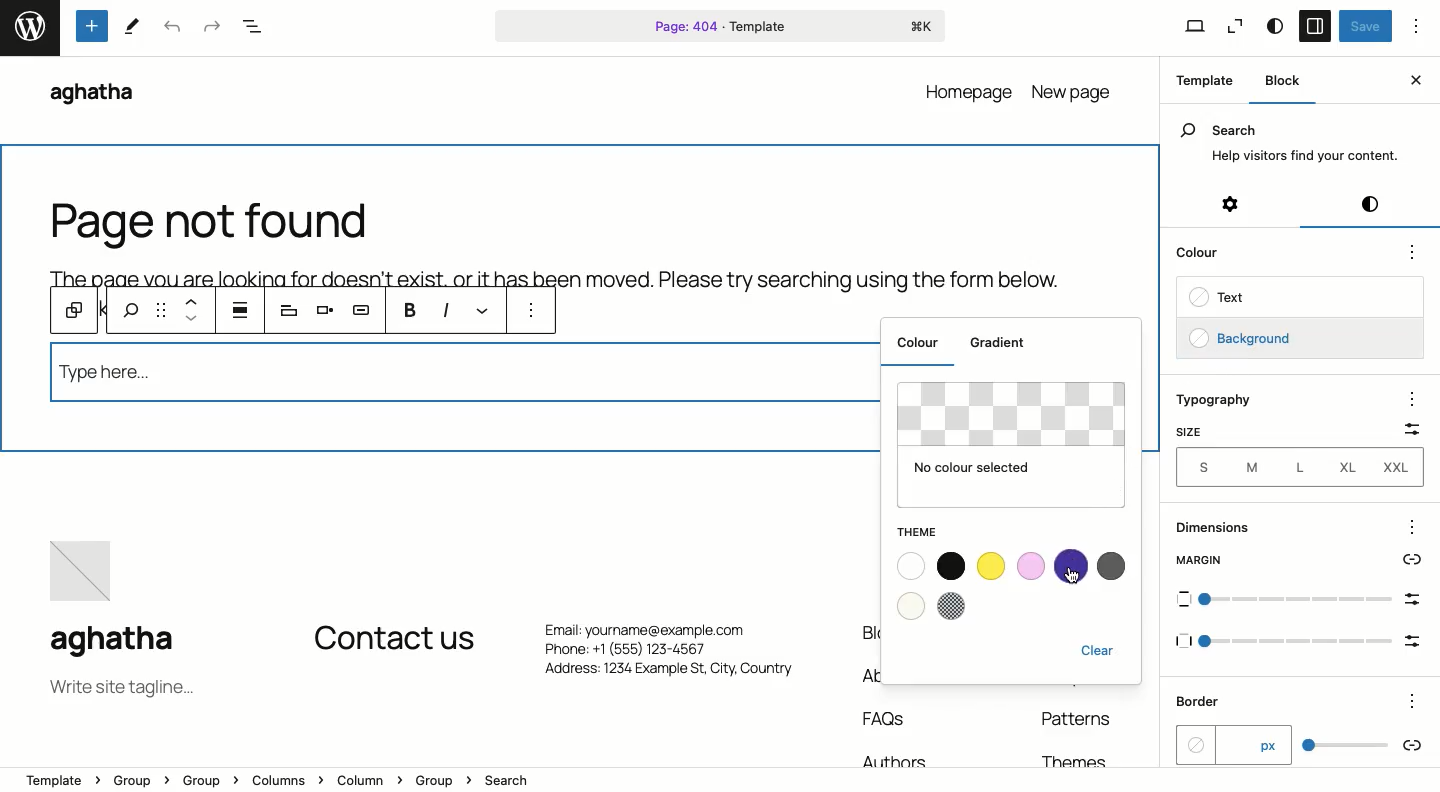 The height and width of the screenshot is (792, 1440). I want to click on Size, so click(1192, 431).